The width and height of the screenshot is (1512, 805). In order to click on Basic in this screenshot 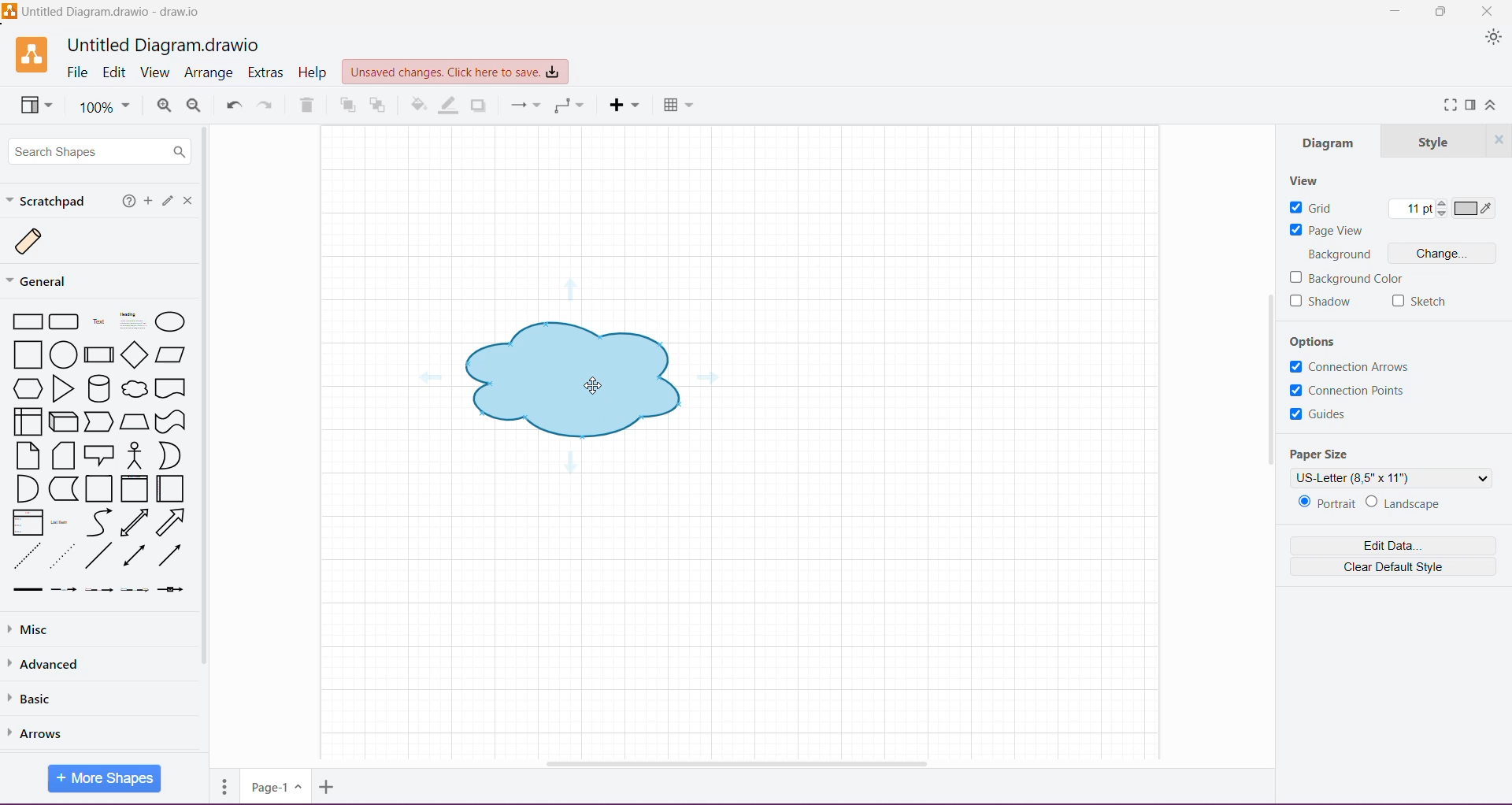, I will do `click(38, 699)`.